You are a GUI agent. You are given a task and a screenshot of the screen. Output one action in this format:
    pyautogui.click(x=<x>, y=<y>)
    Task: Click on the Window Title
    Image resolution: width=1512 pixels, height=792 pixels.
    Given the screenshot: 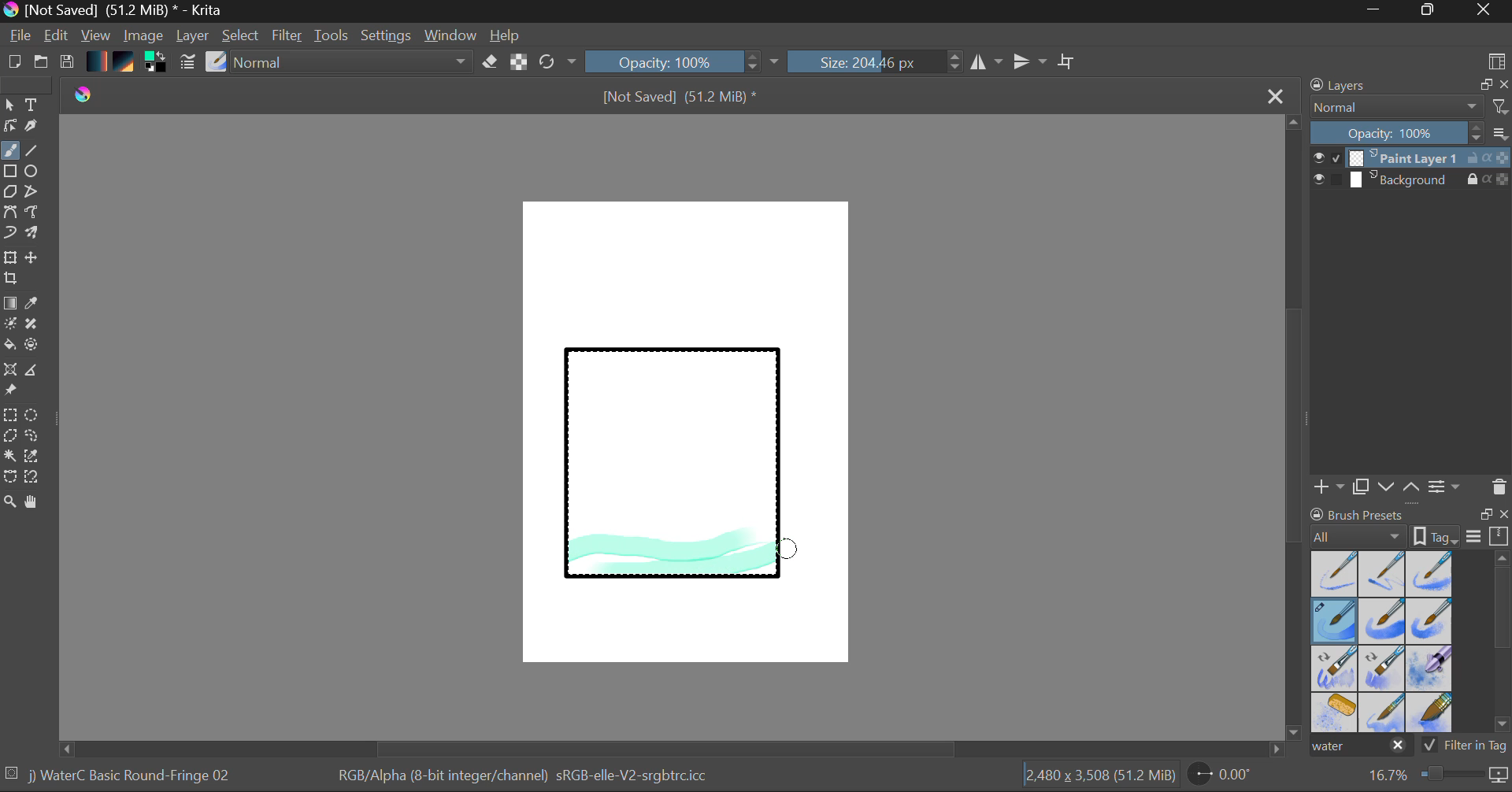 What is the action you would take?
    pyautogui.click(x=115, y=11)
    